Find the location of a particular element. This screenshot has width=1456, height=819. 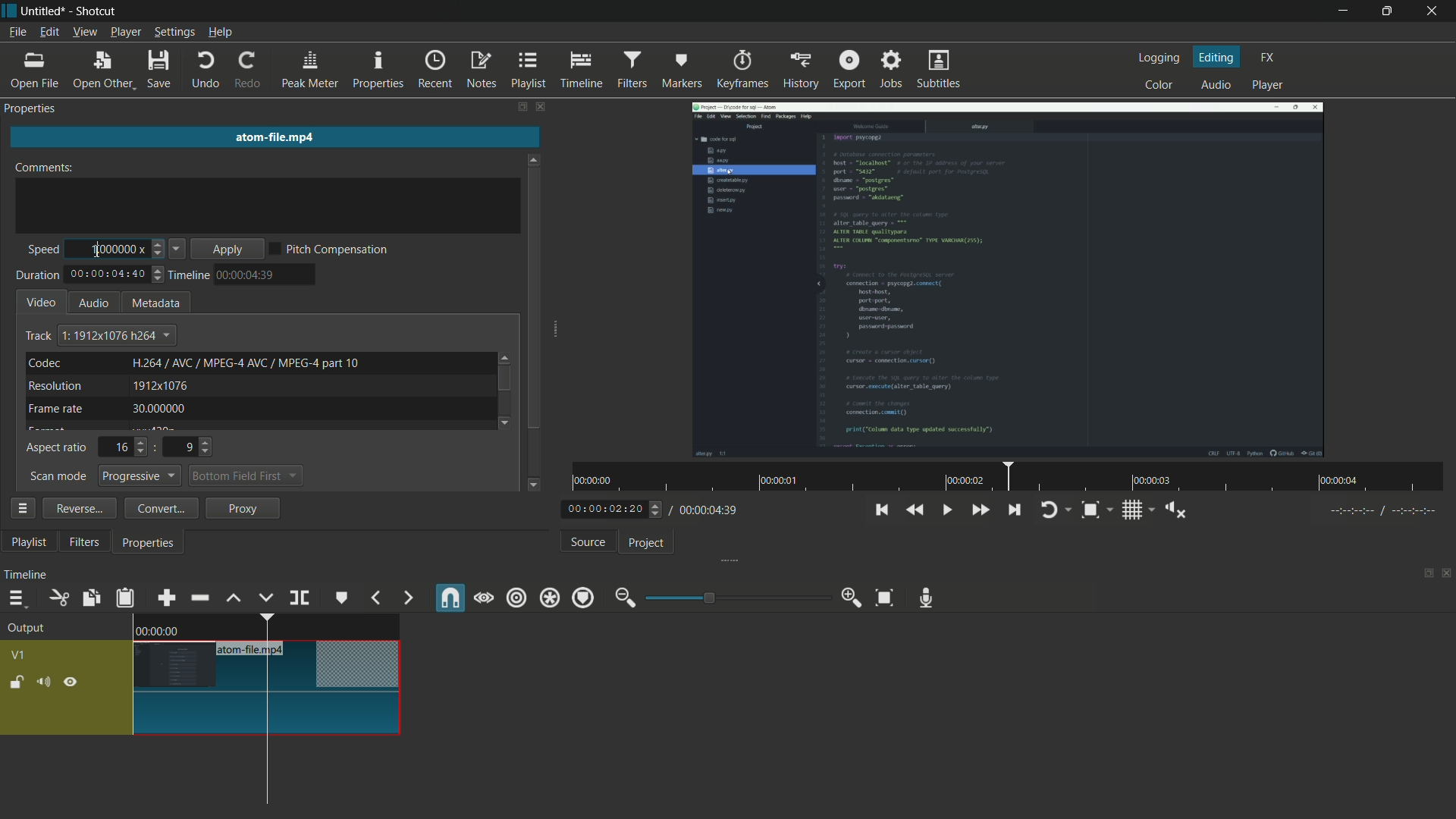

lift is located at coordinates (236, 599).